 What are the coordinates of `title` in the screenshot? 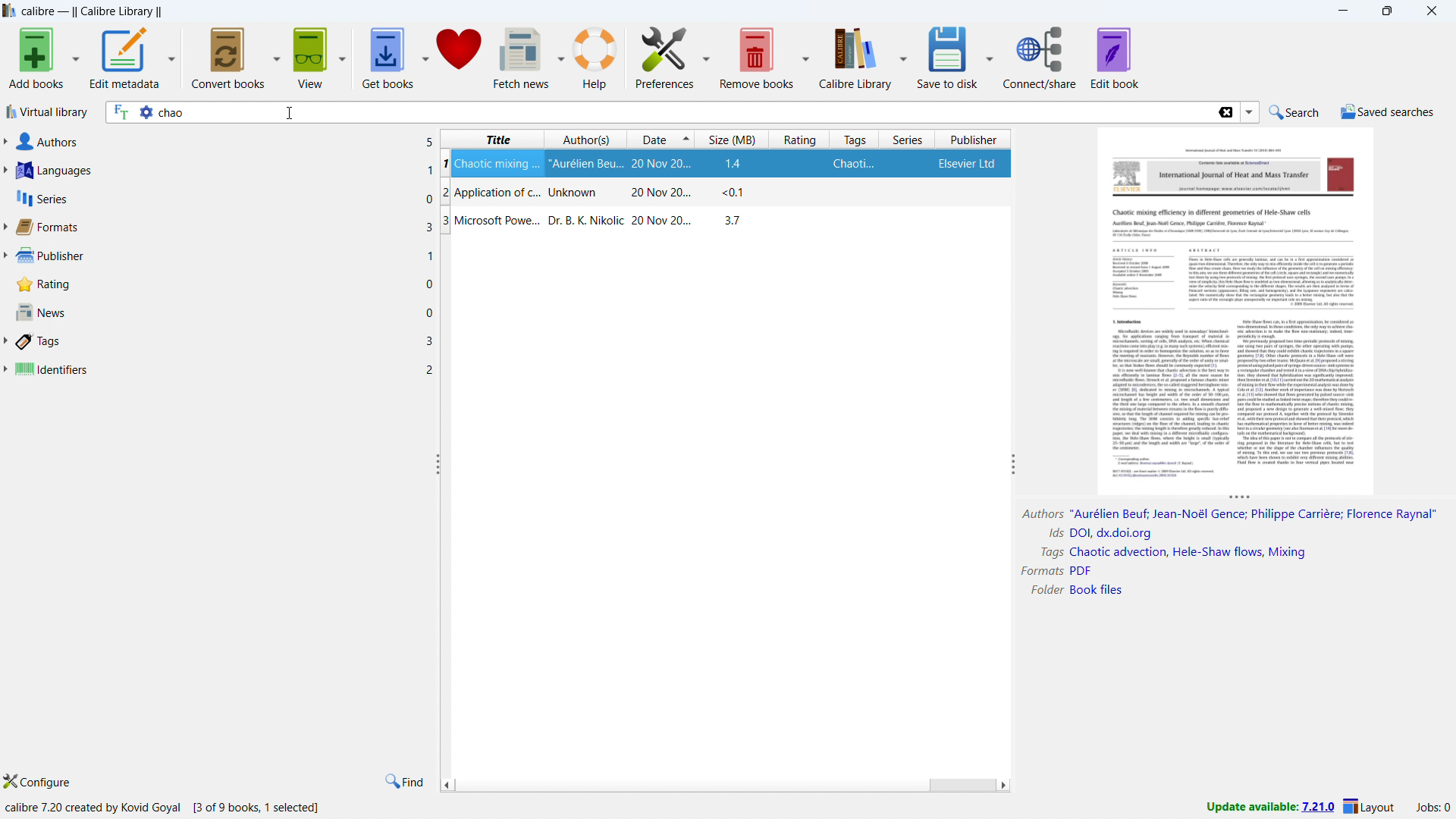 It's located at (93, 11).